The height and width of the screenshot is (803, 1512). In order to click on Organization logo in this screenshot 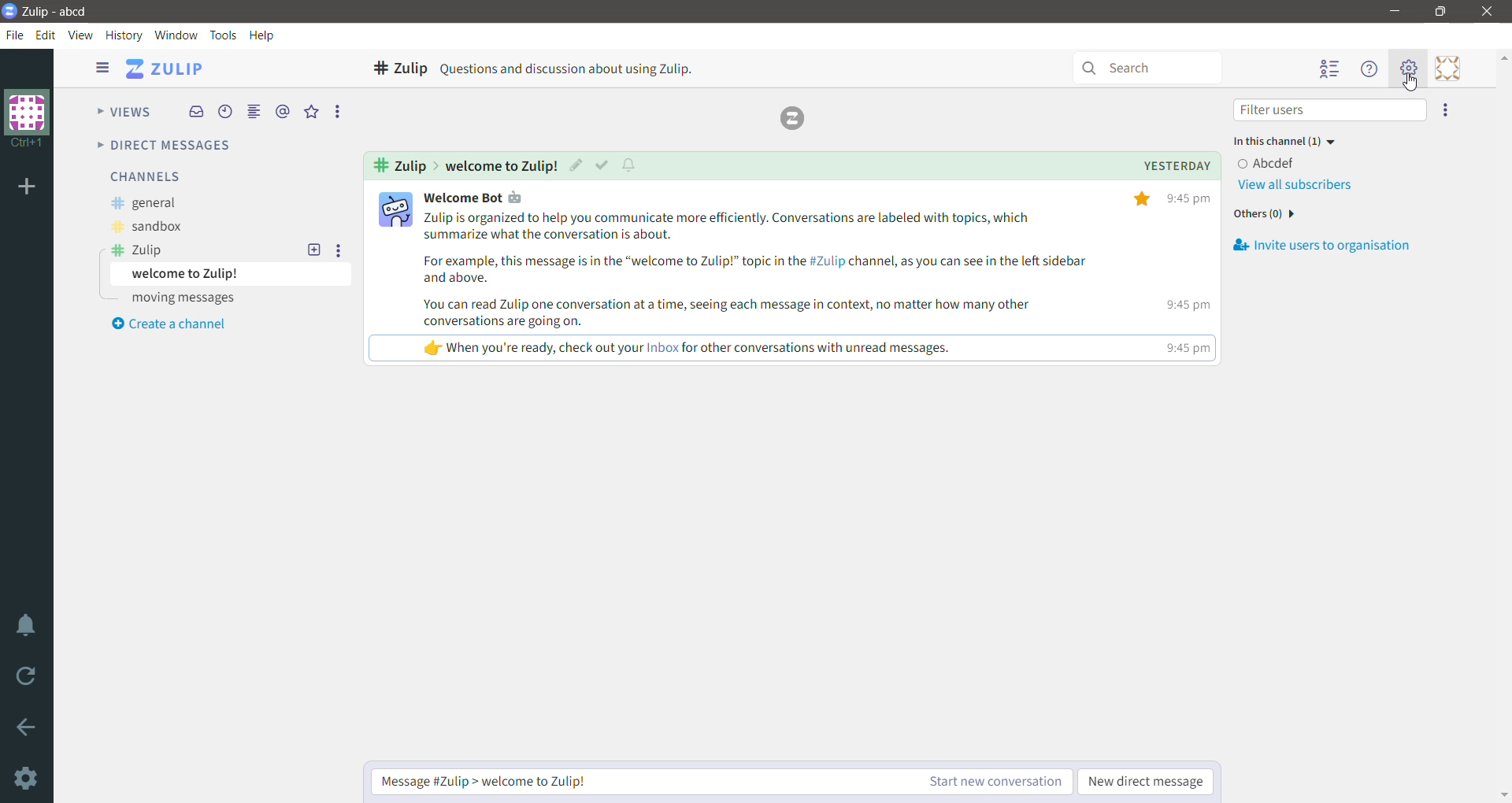, I will do `click(28, 119)`.